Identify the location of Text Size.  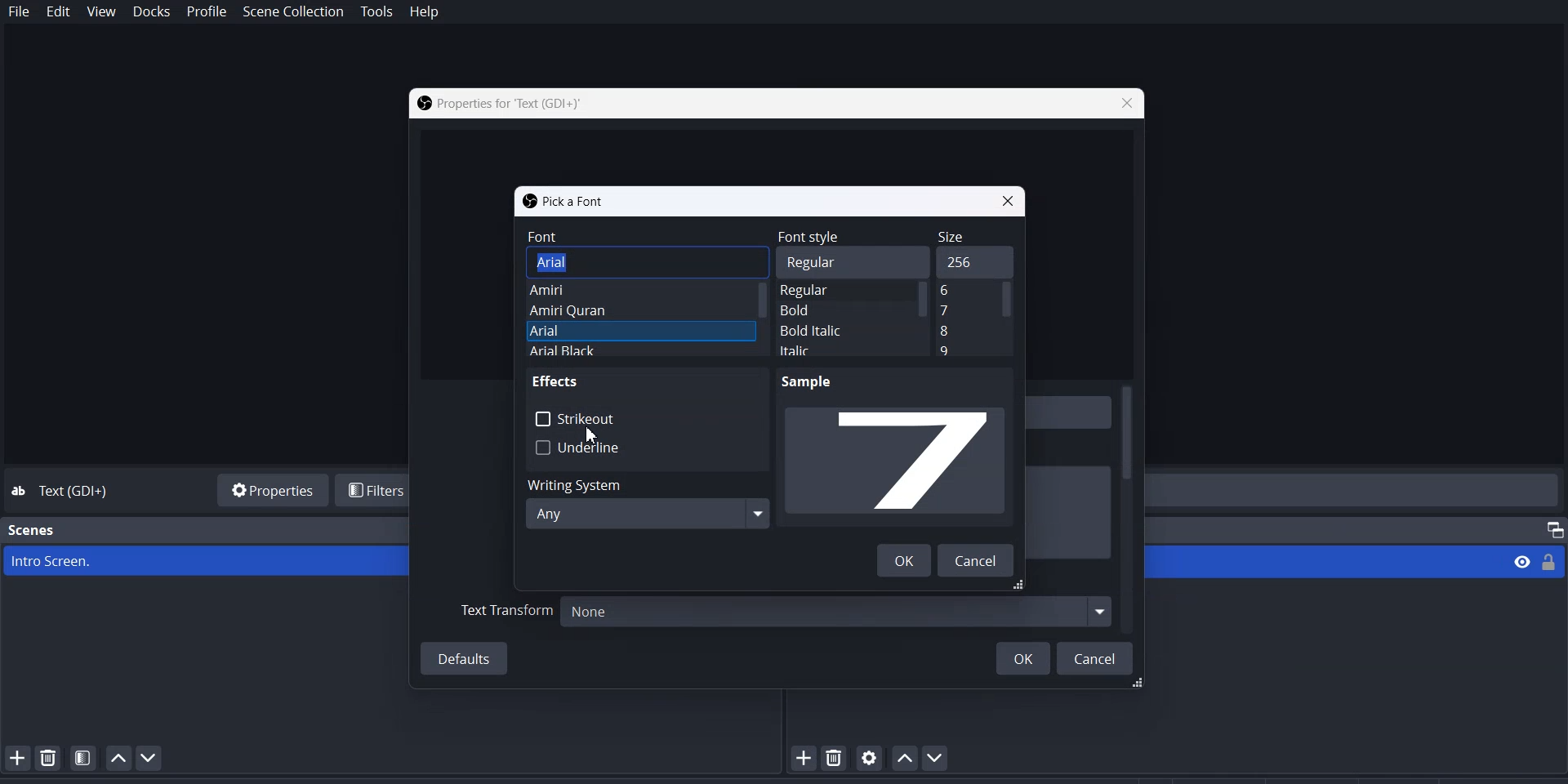
(964, 292).